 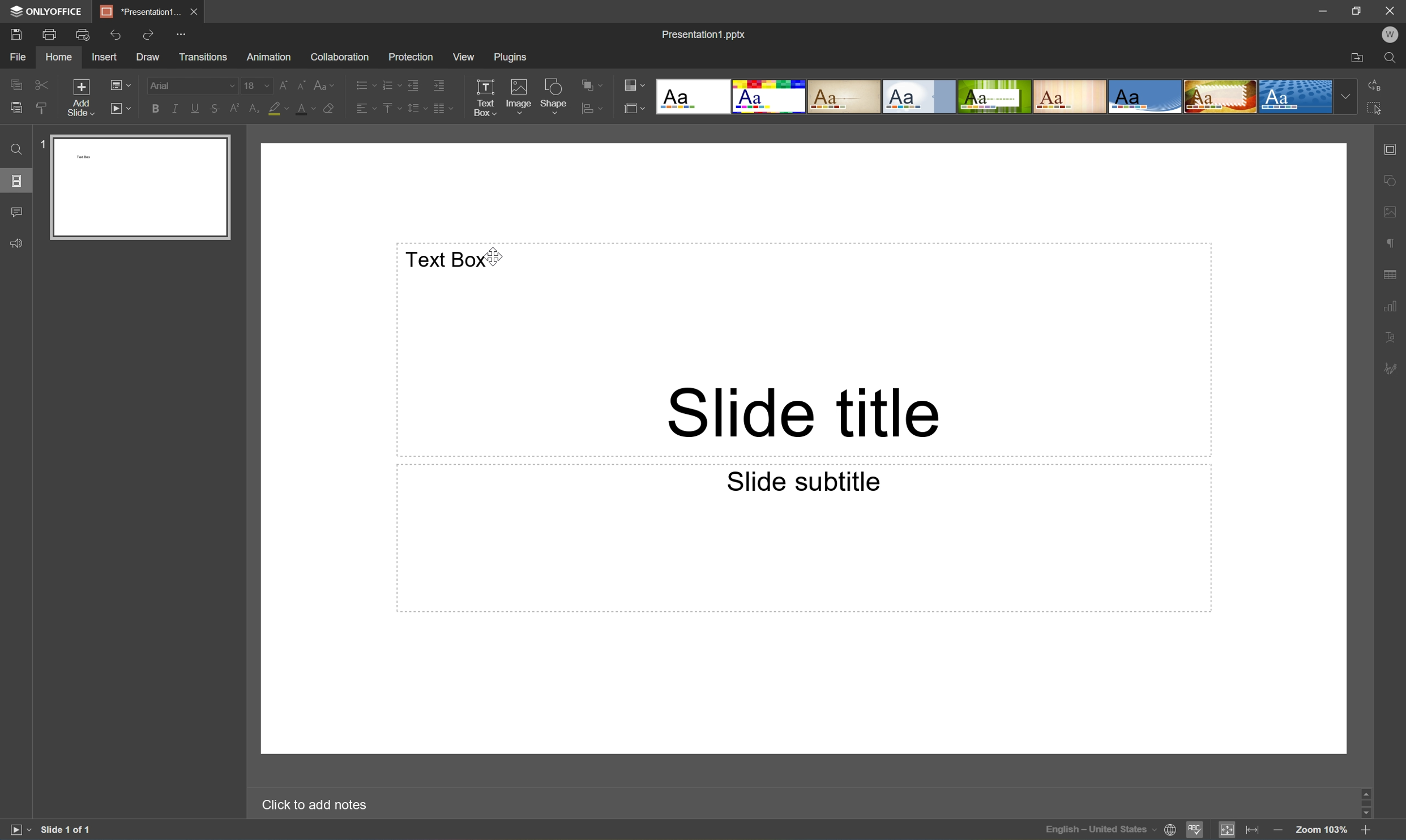 What do you see at coordinates (452, 257) in the screenshot?
I see `Text Box` at bounding box center [452, 257].